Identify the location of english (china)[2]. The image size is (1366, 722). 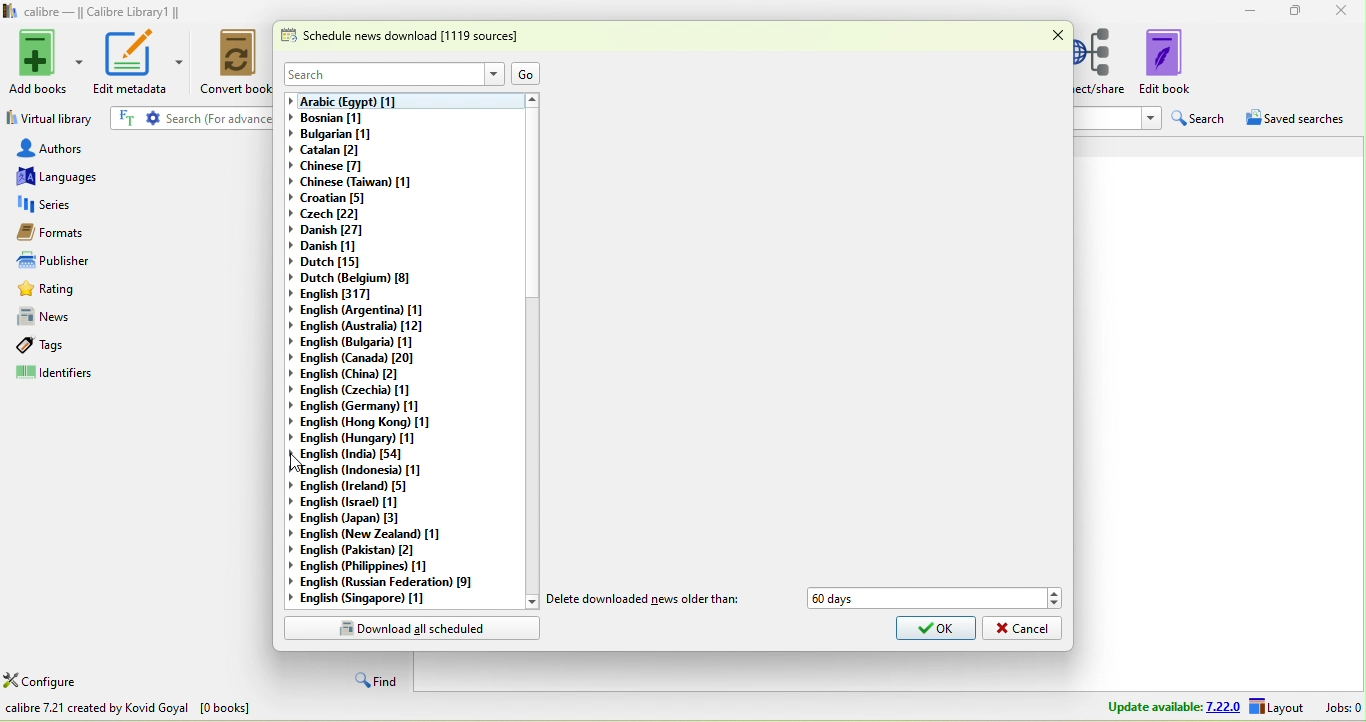
(363, 375).